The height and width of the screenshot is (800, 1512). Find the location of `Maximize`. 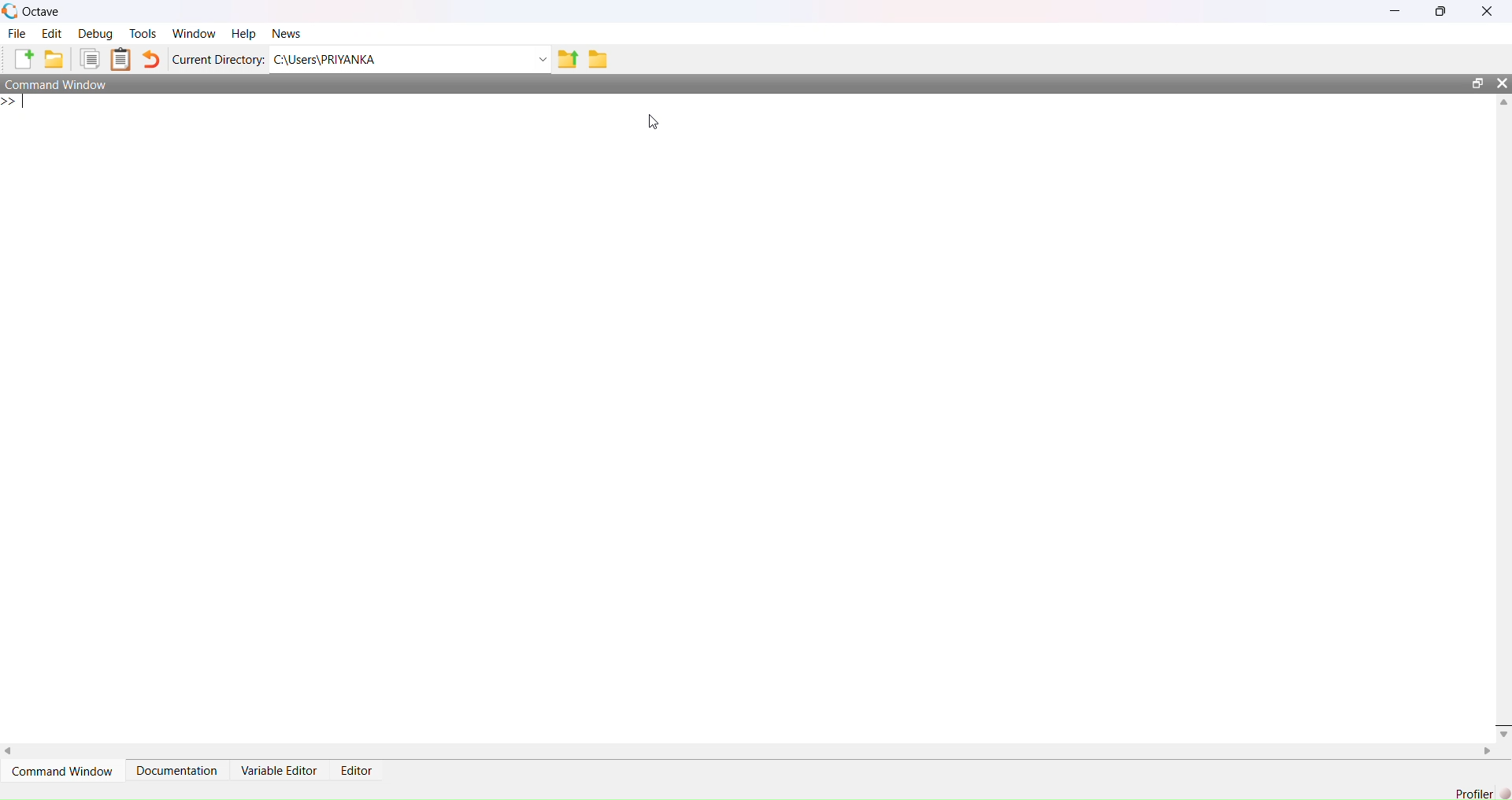

Maximize is located at coordinates (1442, 13).